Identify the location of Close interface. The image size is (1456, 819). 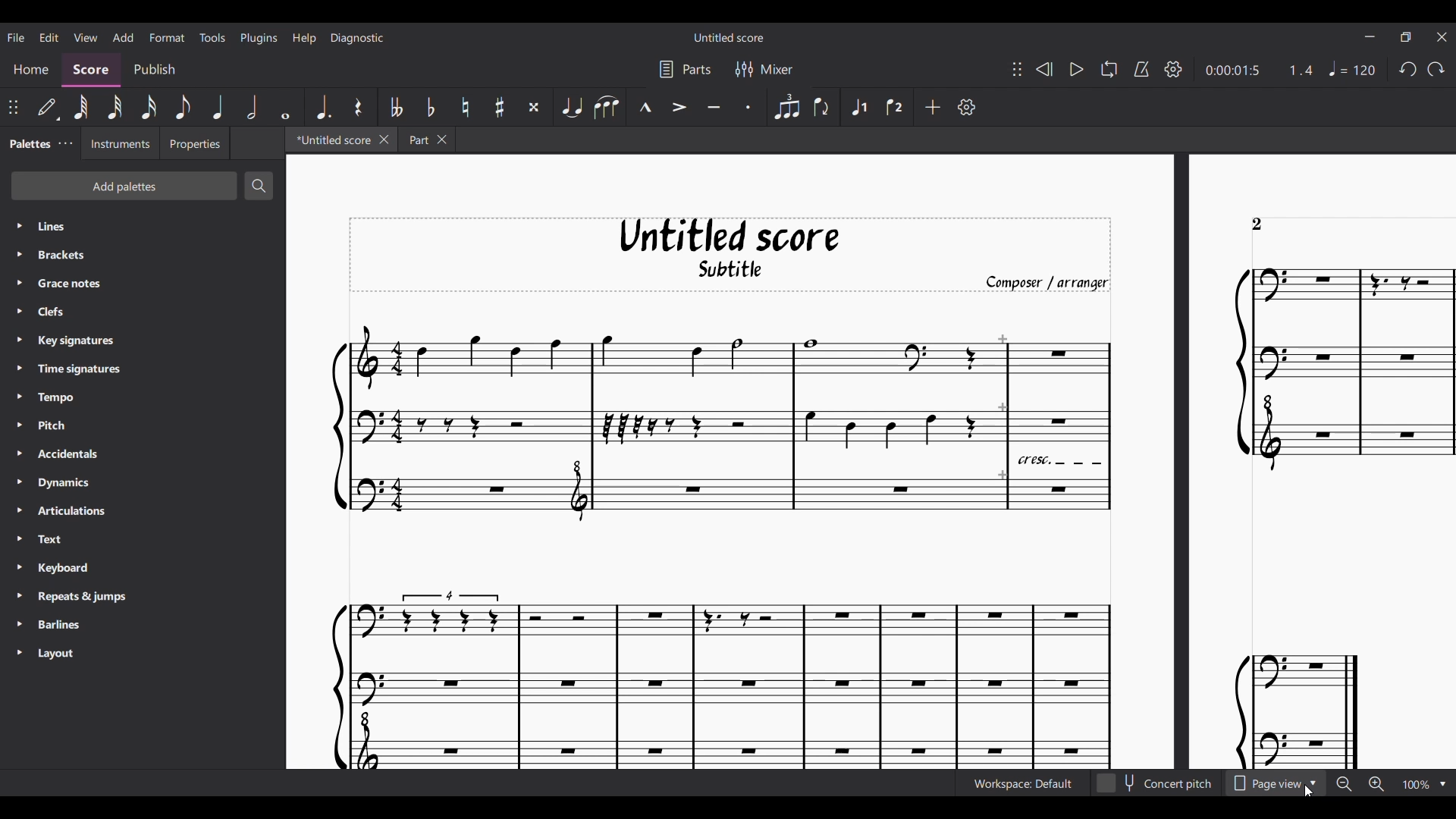
(1443, 37).